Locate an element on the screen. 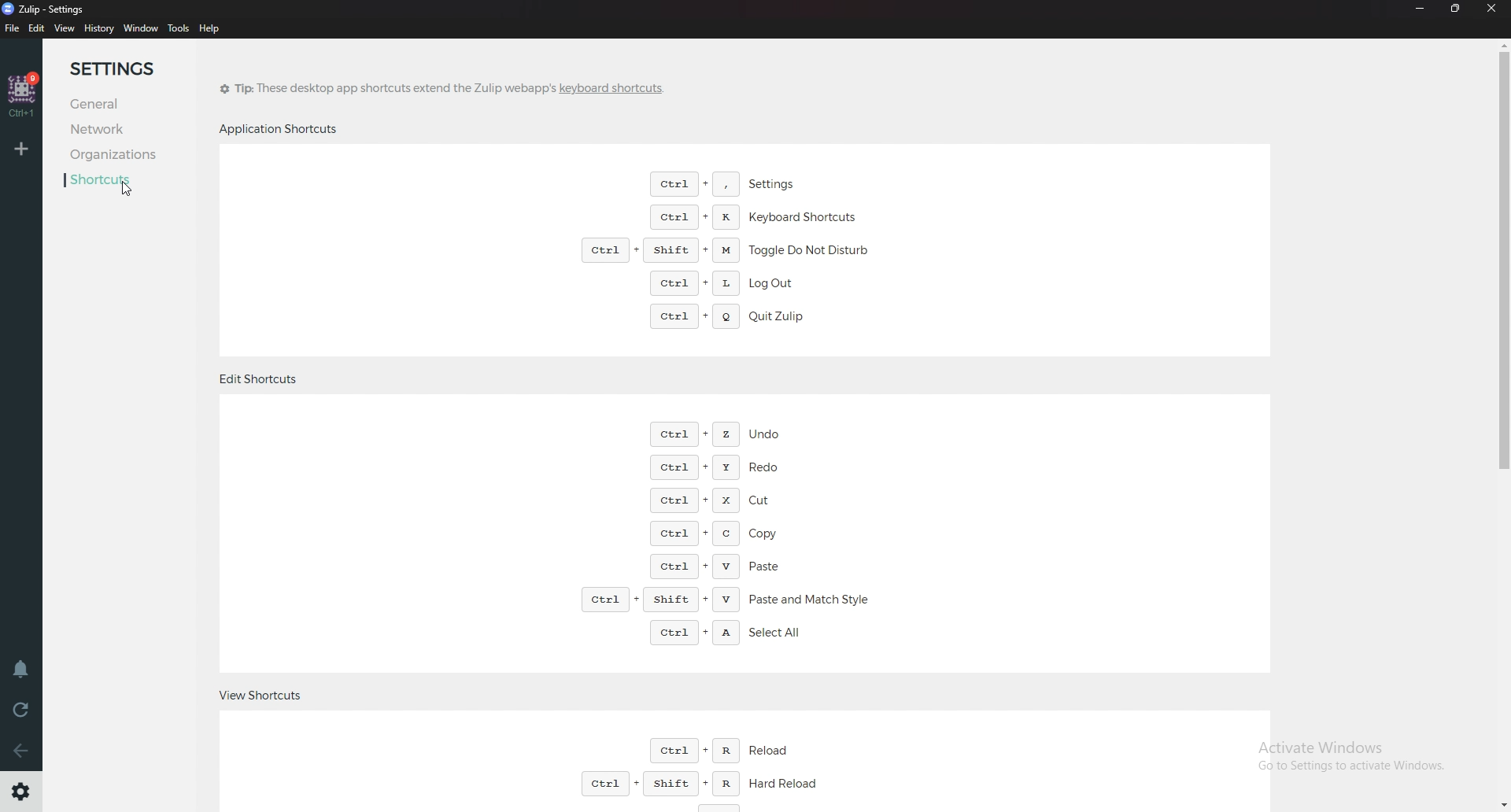 This screenshot has width=1511, height=812. General is located at coordinates (126, 102).